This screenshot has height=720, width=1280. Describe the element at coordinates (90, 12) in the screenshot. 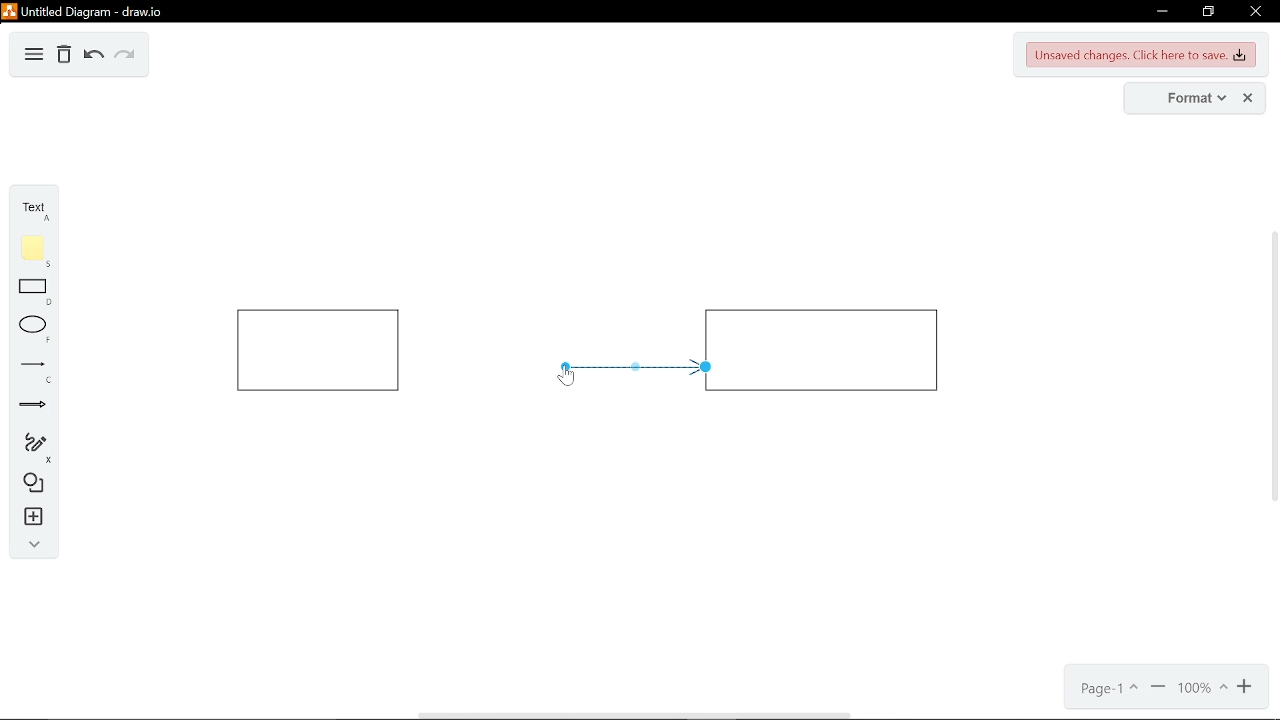

I see `untitled diagram - draw.io` at that location.